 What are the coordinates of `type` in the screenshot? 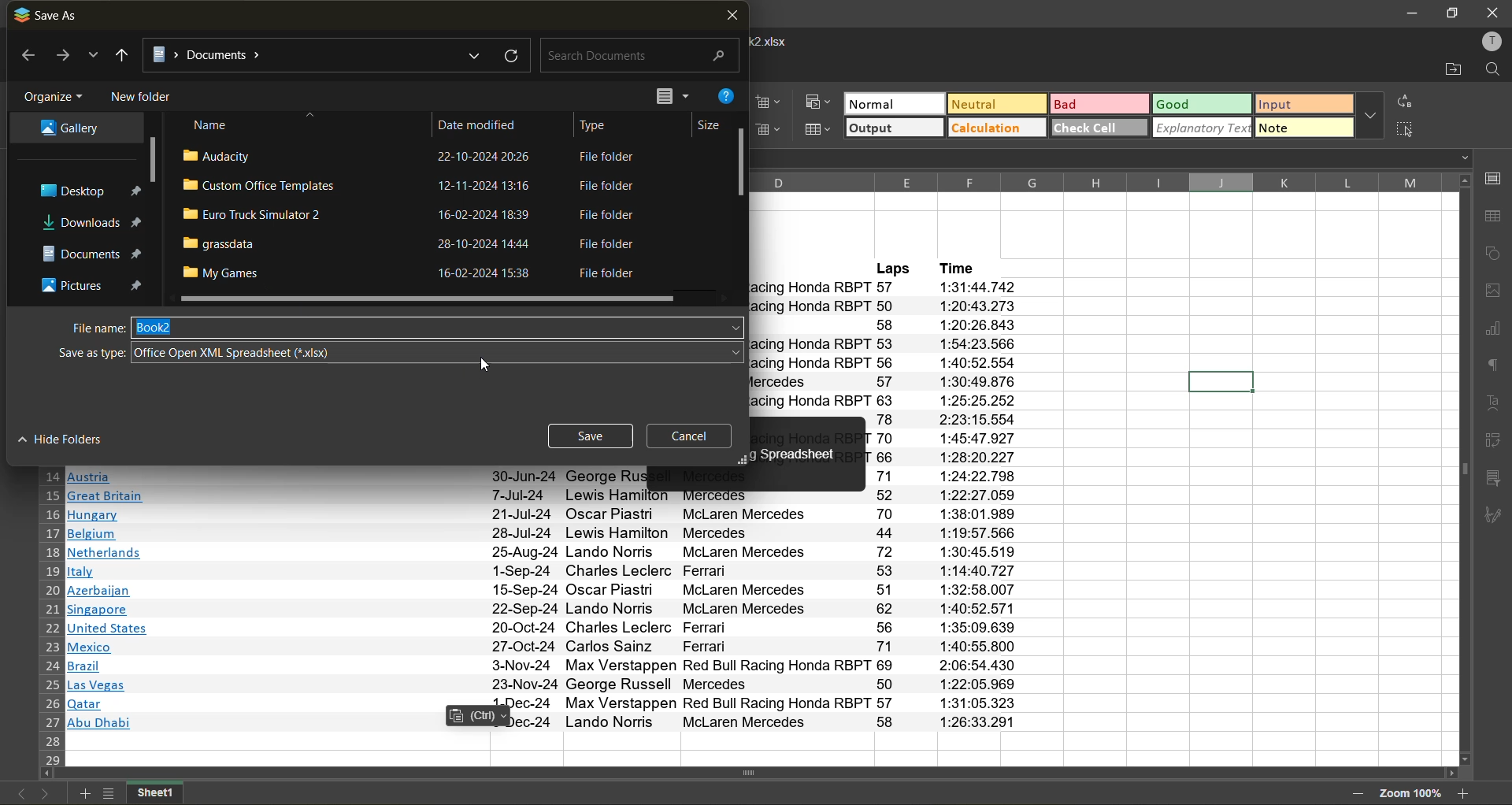 It's located at (601, 123).